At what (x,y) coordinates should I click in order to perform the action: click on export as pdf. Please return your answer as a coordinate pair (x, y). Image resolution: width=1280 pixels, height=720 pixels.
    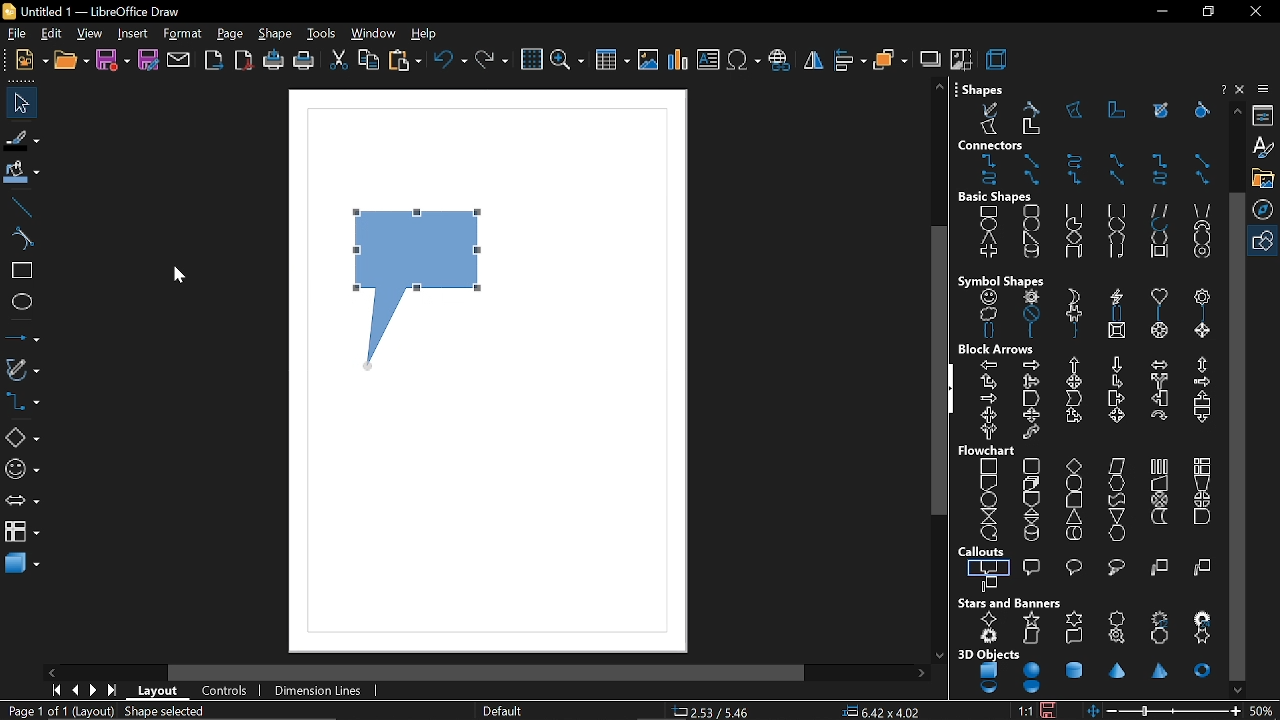
    Looking at the image, I should click on (245, 61).